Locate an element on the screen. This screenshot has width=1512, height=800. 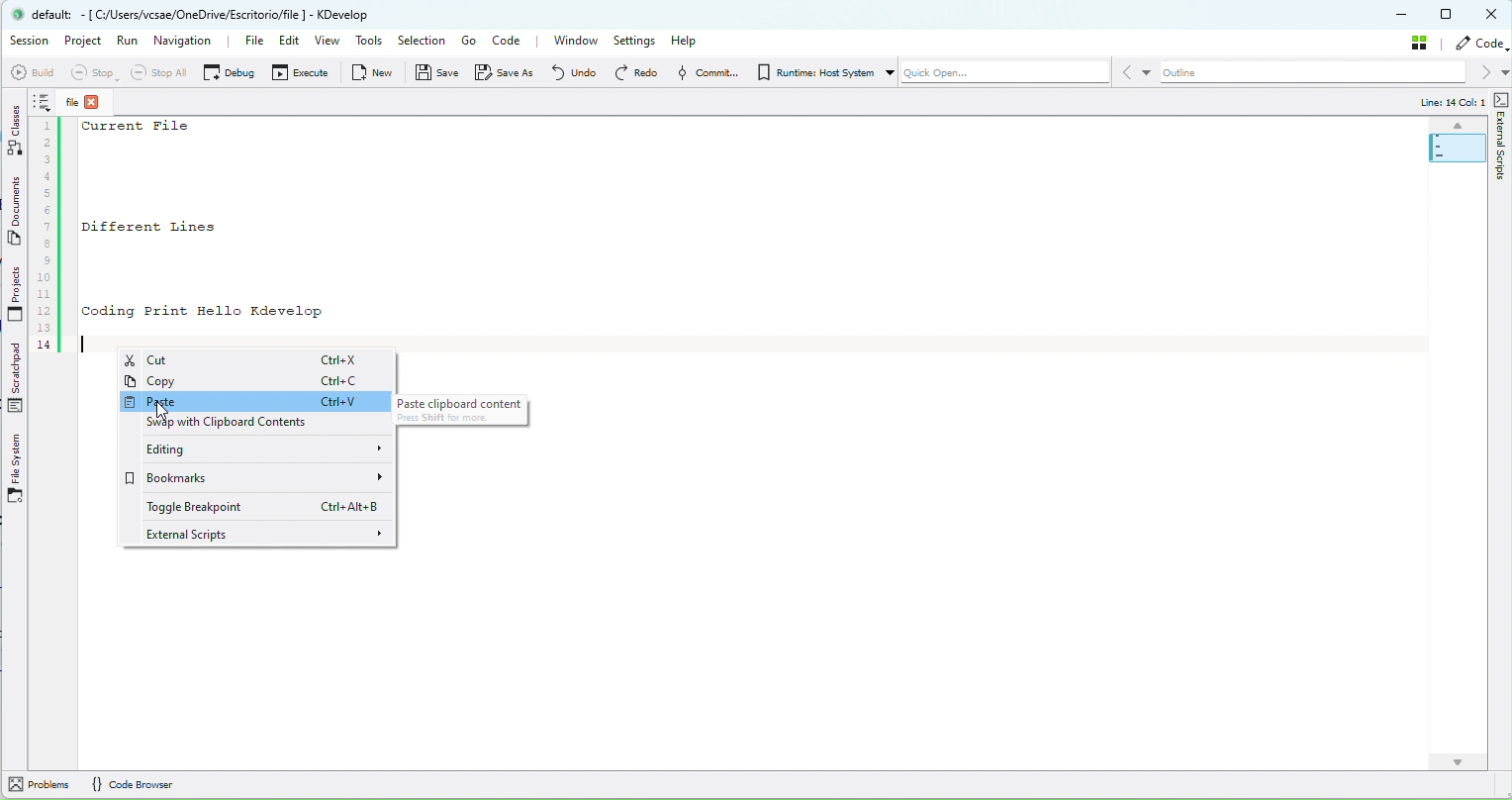
Save is located at coordinates (438, 76).